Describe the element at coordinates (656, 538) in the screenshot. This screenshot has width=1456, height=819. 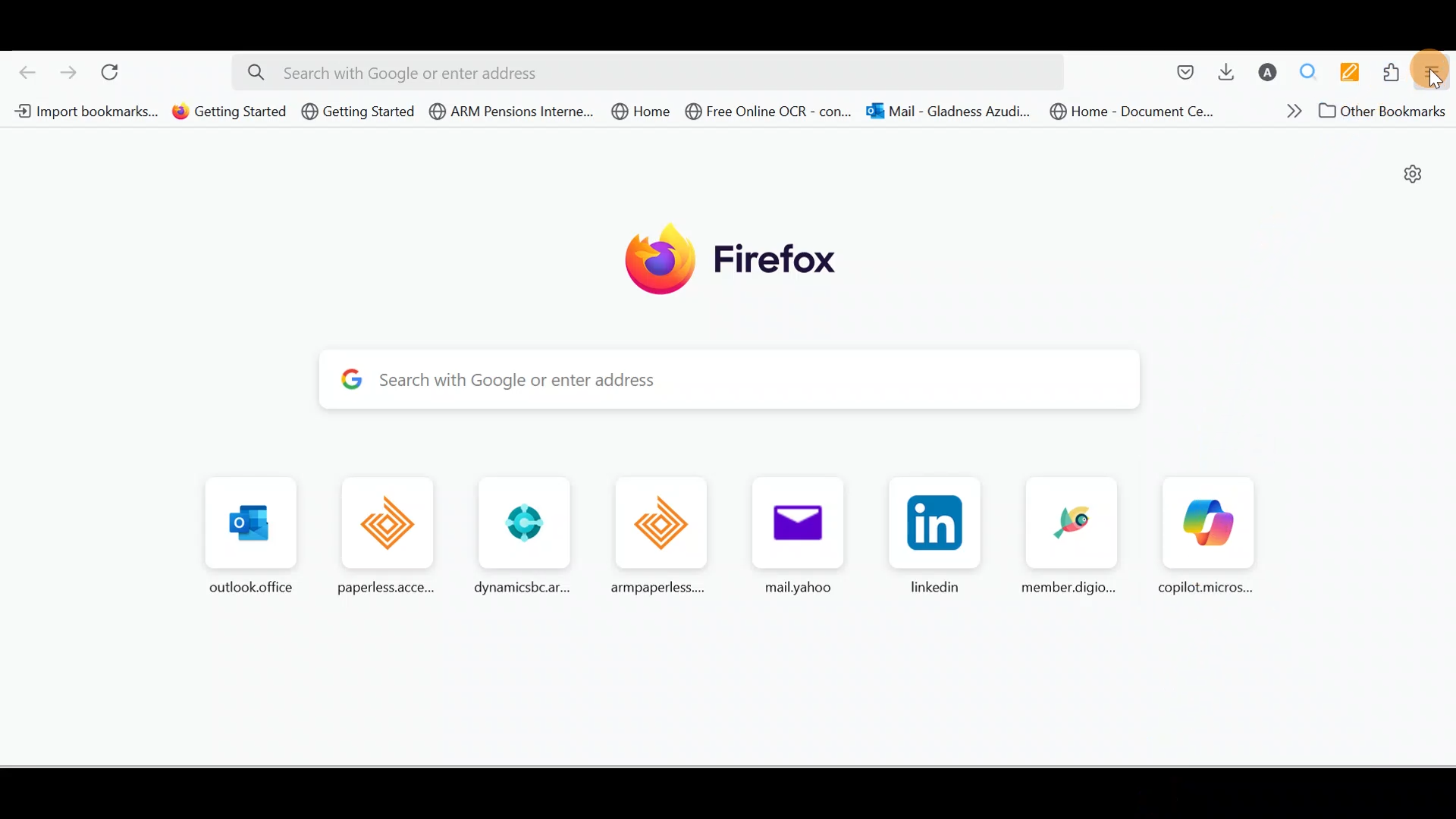
I see `armpaperless....` at that location.